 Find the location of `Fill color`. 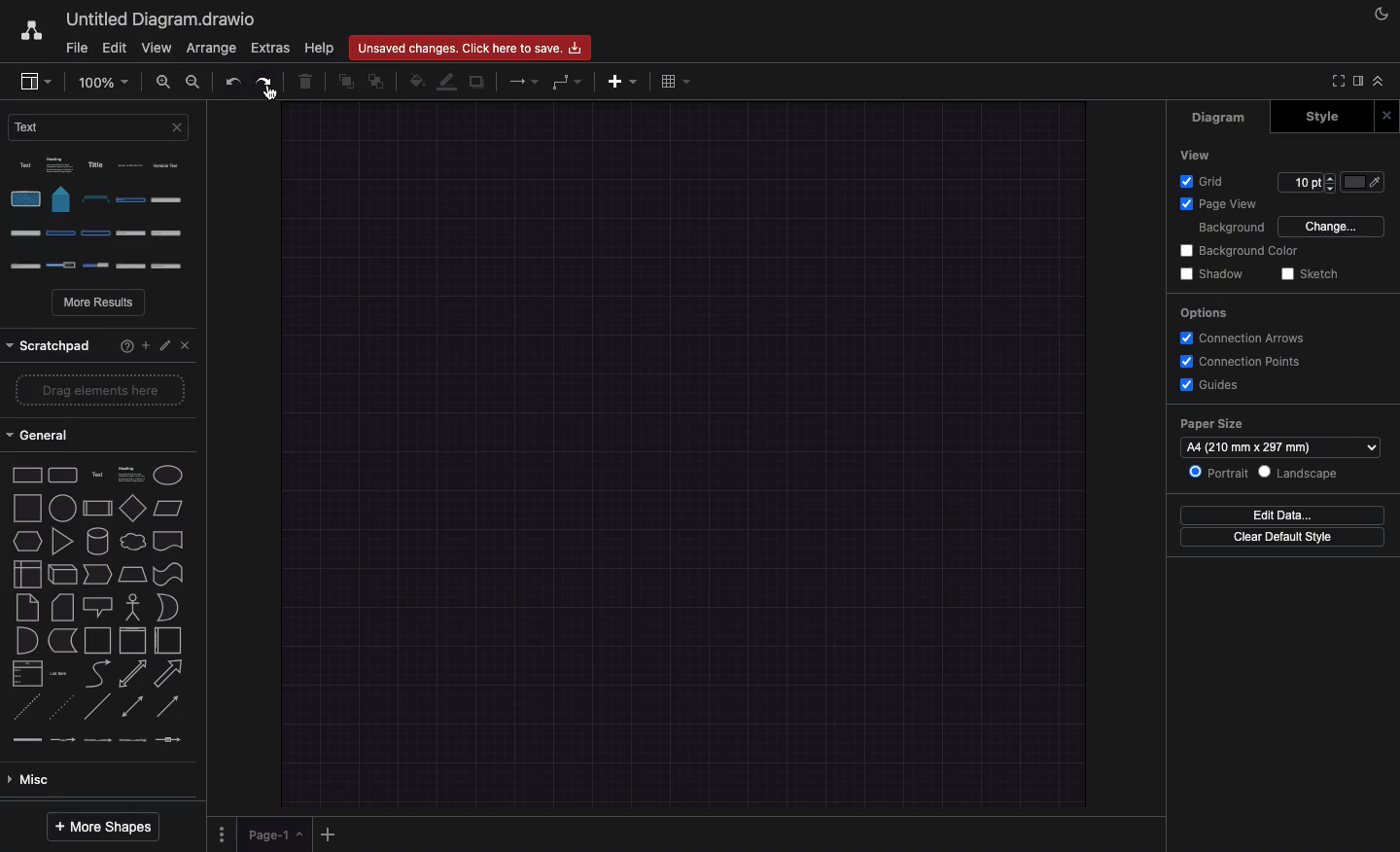

Fill color is located at coordinates (417, 81).